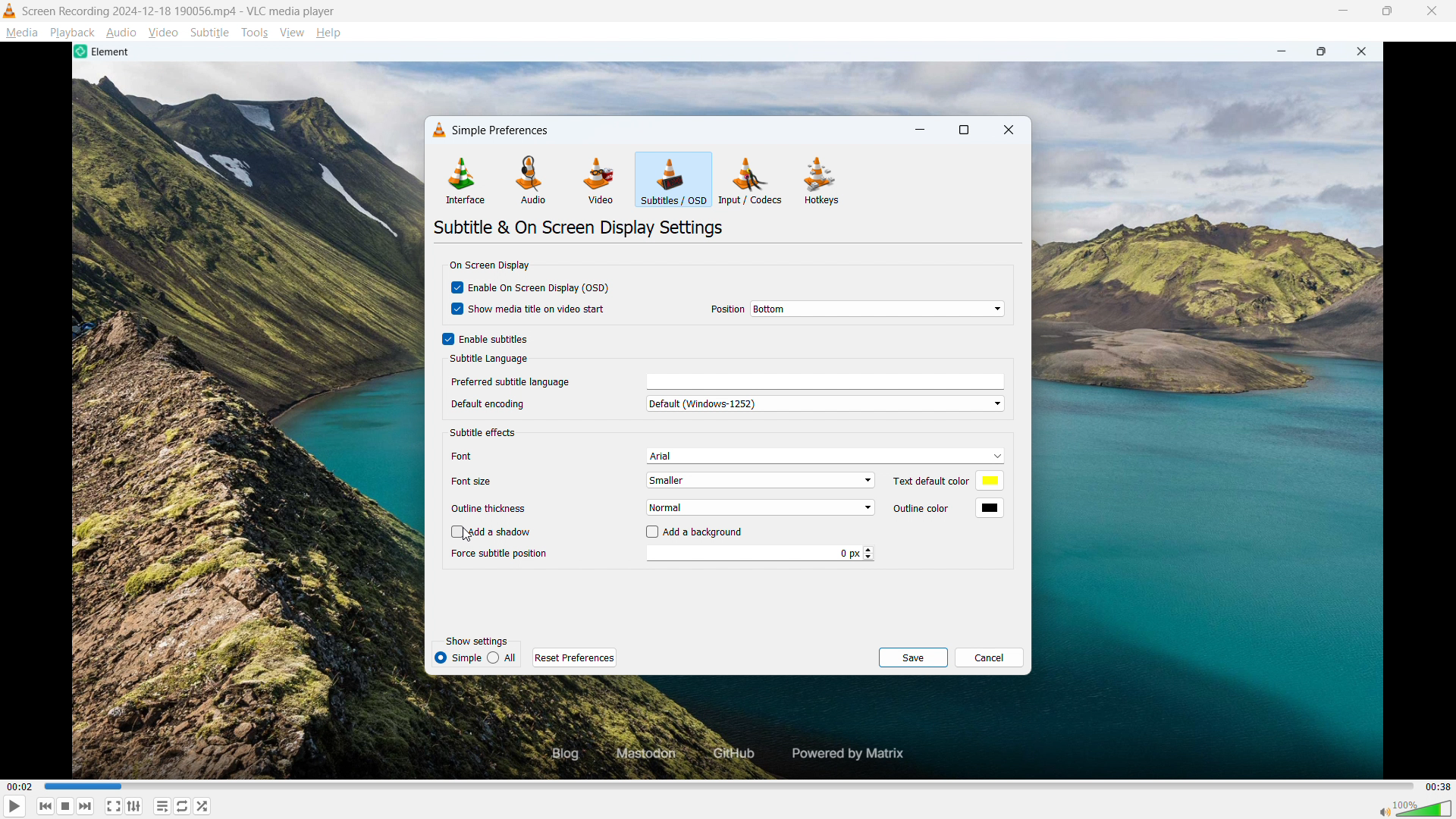 The height and width of the screenshot is (819, 1456). Describe the element at coordinates (291, 33) in the screenshot. I see `View ` at that location.